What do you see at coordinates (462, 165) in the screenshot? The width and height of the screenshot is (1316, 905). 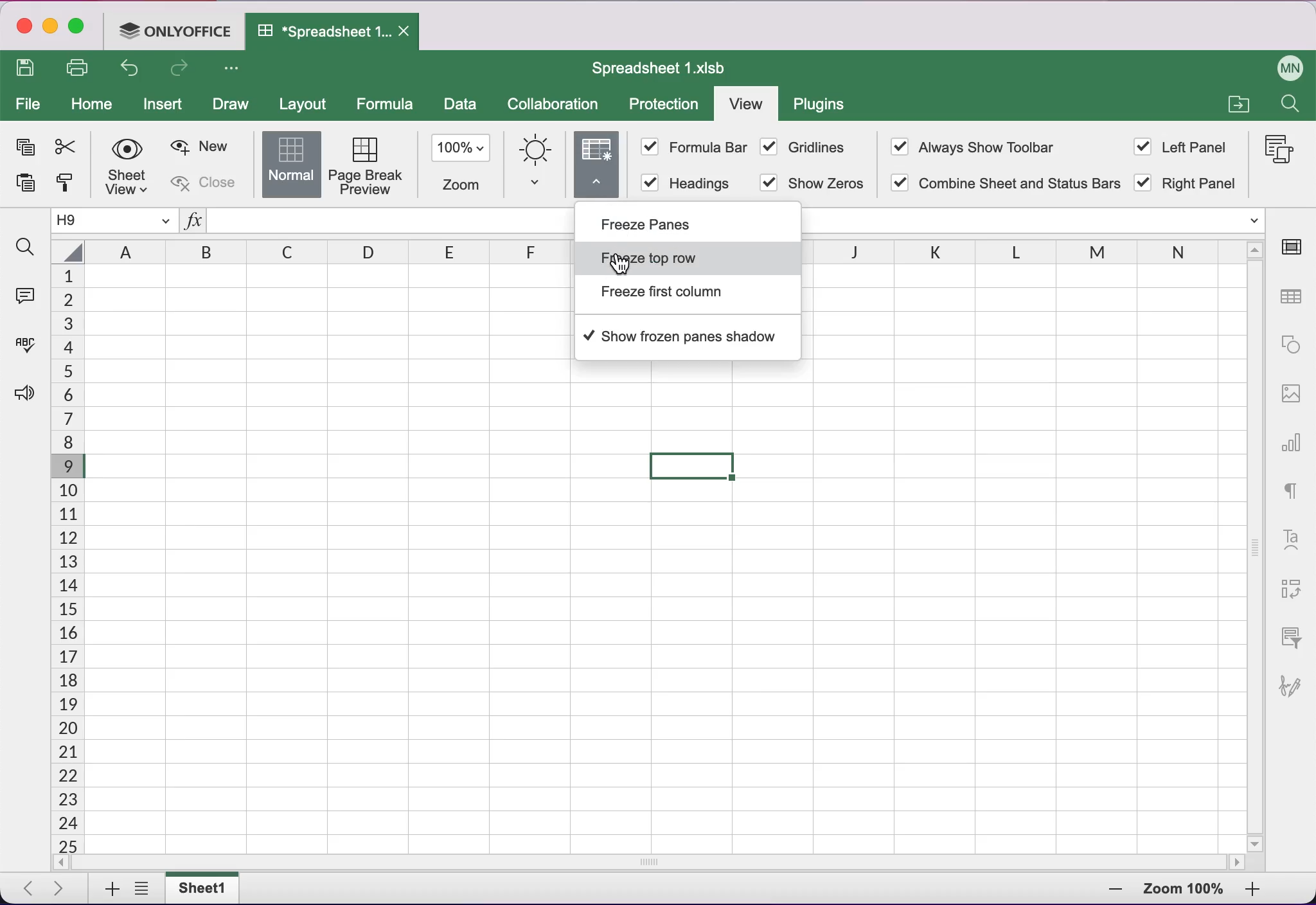 I see `zoom` at bounding box center [462, 165].